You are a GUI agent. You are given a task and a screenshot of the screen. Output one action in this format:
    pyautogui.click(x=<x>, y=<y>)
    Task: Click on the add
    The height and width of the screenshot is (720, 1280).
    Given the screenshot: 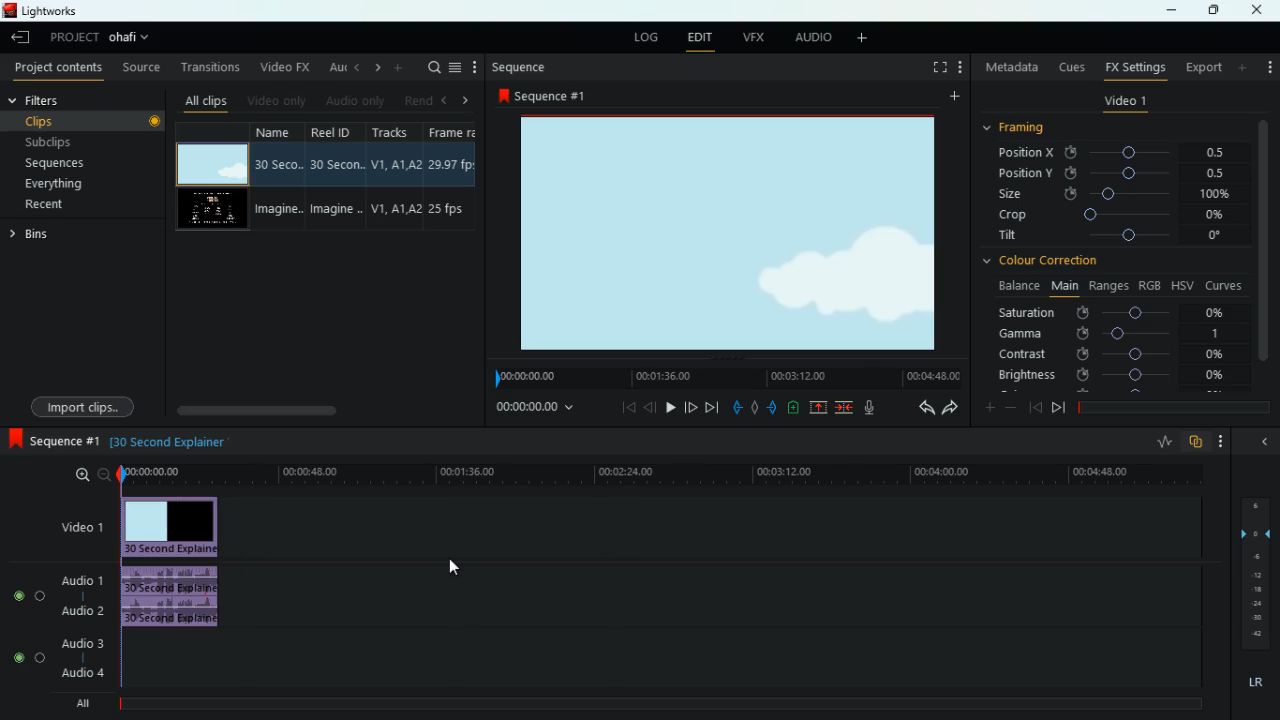 What is the action you would take?
    pyautogui.click(x=952, y=97)
    